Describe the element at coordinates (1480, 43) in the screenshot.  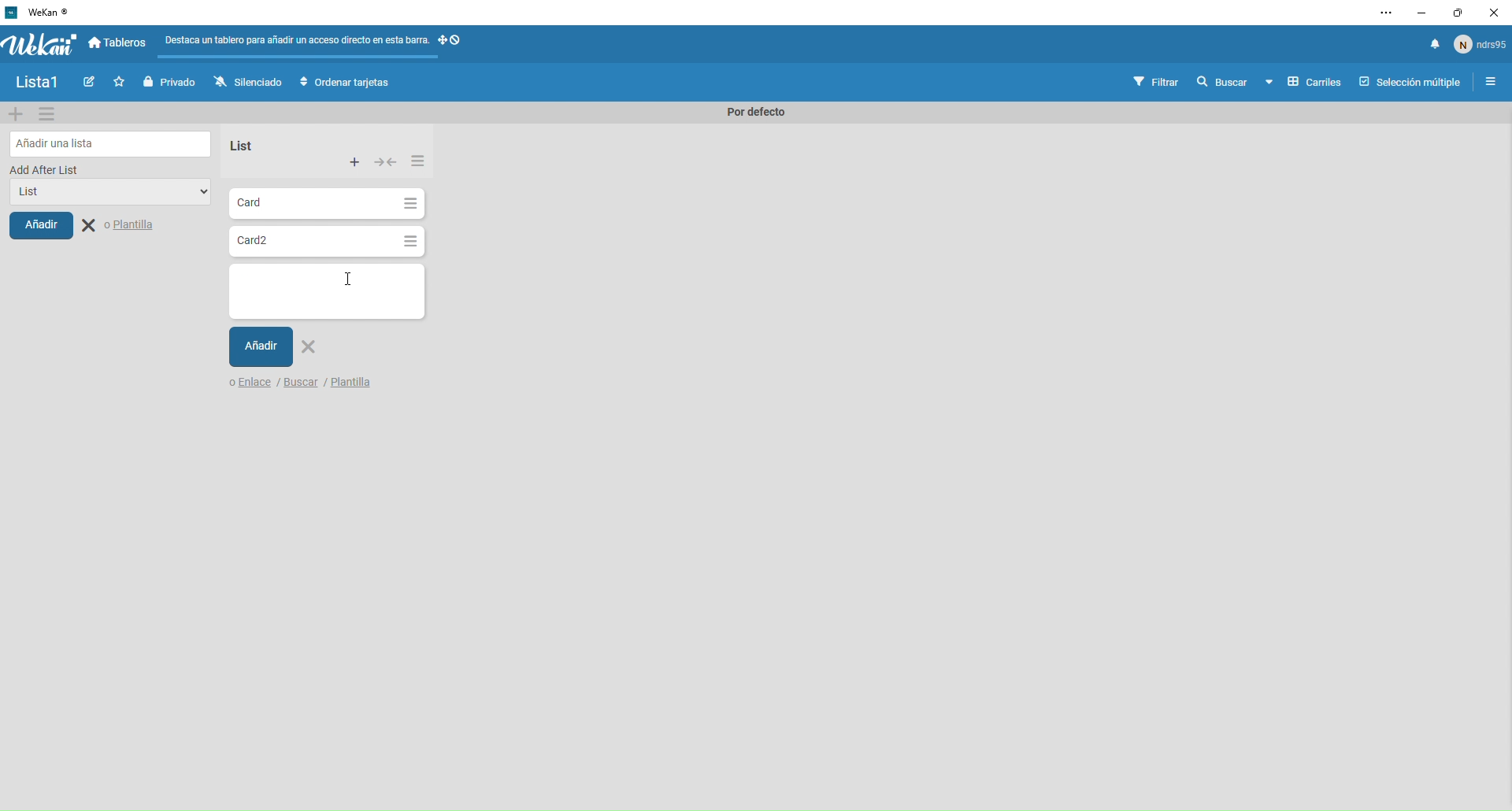
I see `User` at that location.